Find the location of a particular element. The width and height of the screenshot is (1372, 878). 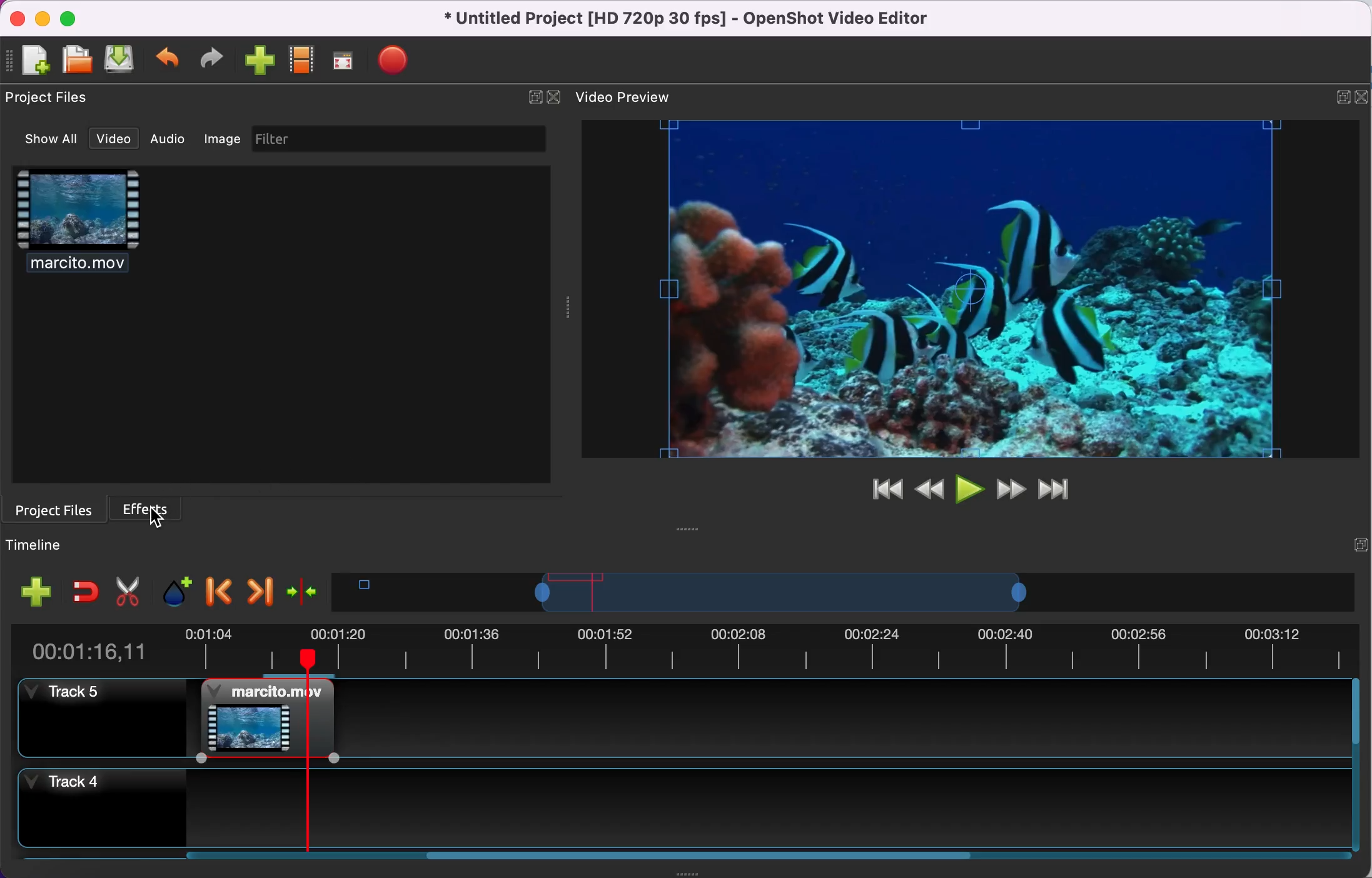

fast forward is located at coordinates (1009, 489).